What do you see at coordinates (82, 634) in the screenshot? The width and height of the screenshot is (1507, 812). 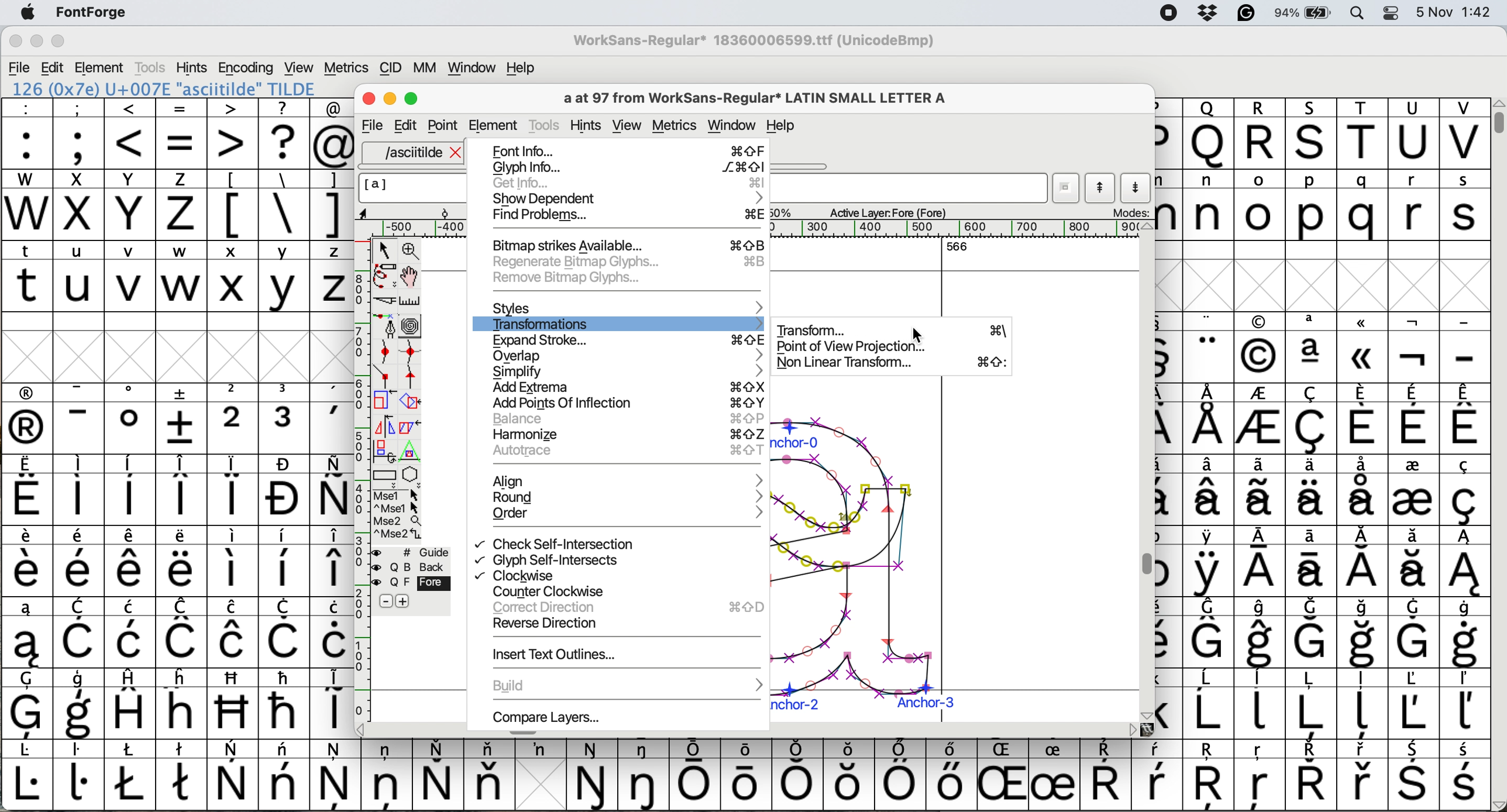 I see `symbol` at bounding box center [82, 634].